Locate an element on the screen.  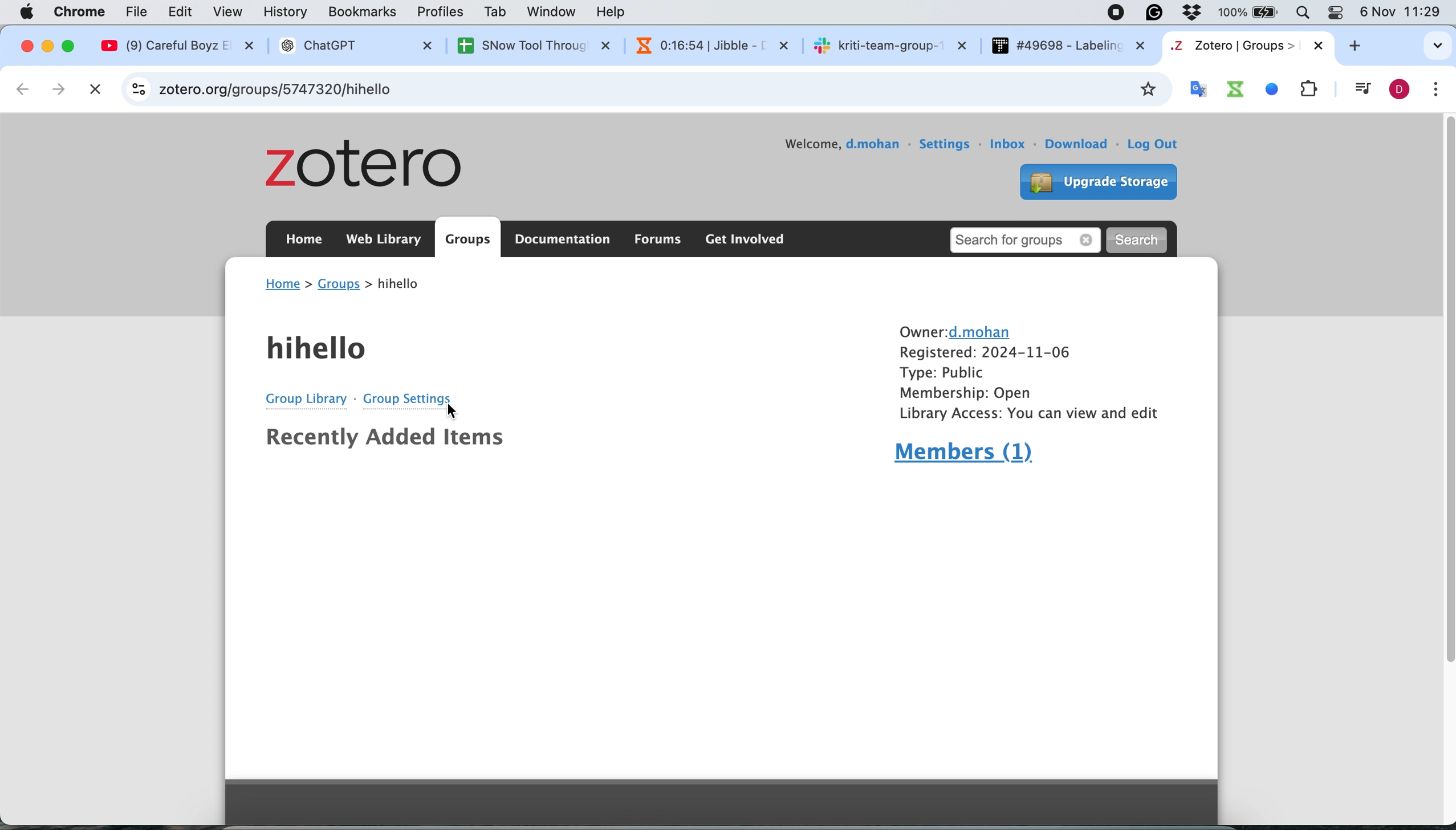
hihello is located at coordinates (322, 350).